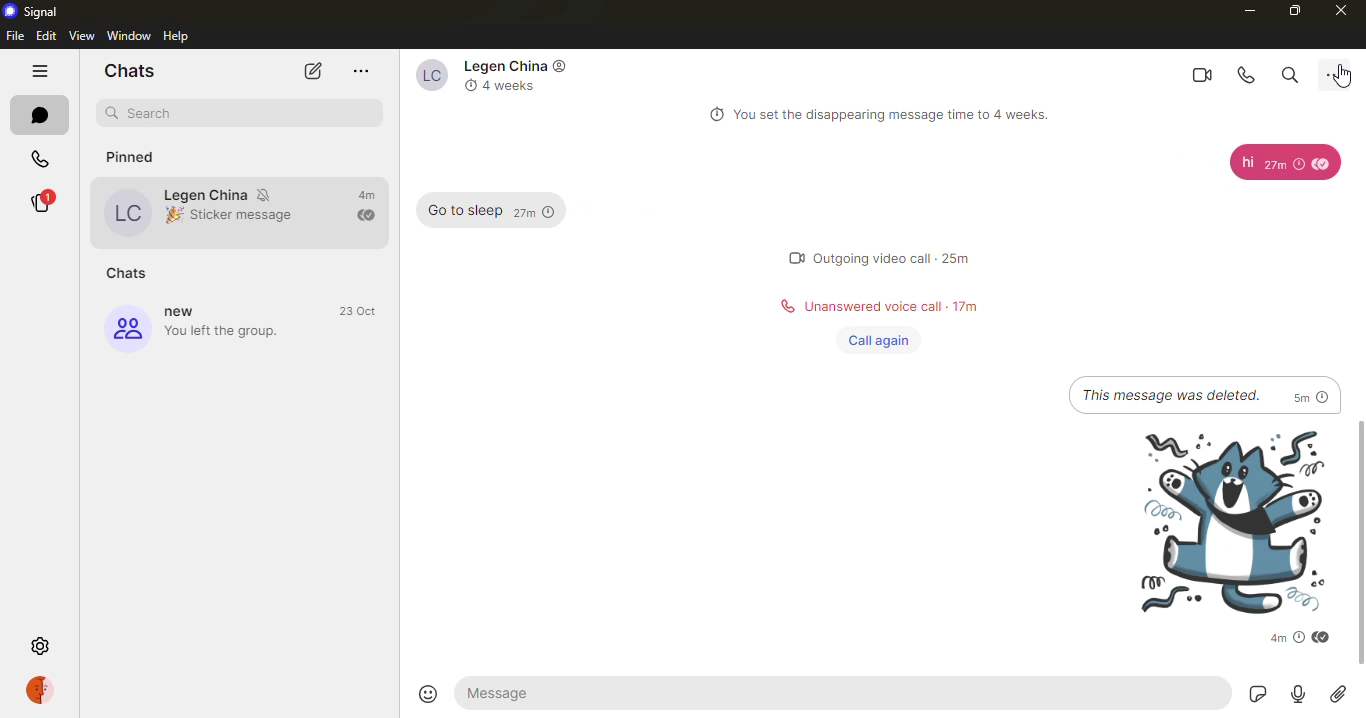  What do you see at coordinates (39, 71) in the screenshot?
I see `hide tabs` at bounding box center [39, 71].